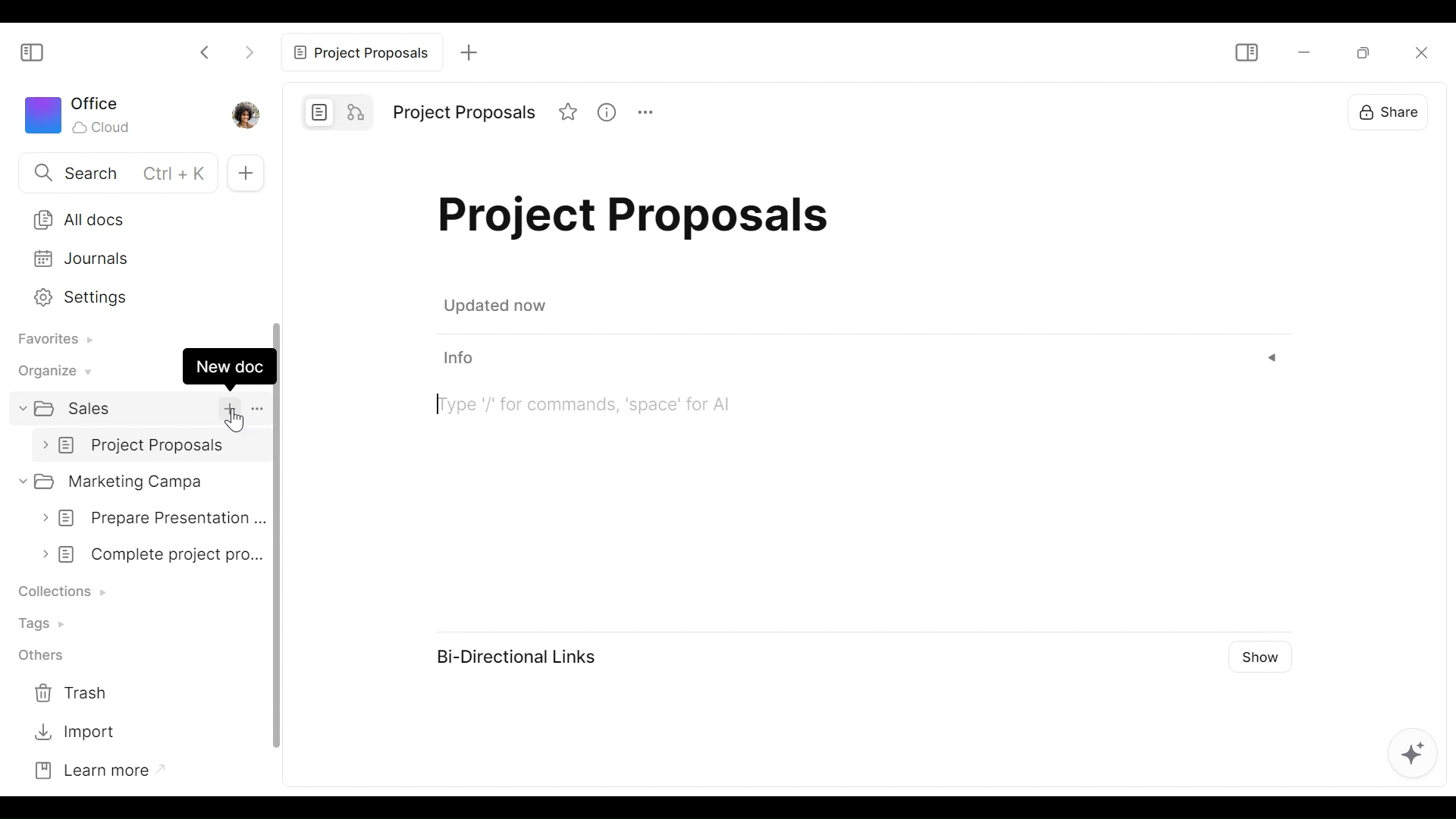 Image resolution: width=1456 pixels, height=819 pixels. What do you see at coordinates (644, 215) in the screenshot?
I see `project proposals` at bounding box center [644, 215].